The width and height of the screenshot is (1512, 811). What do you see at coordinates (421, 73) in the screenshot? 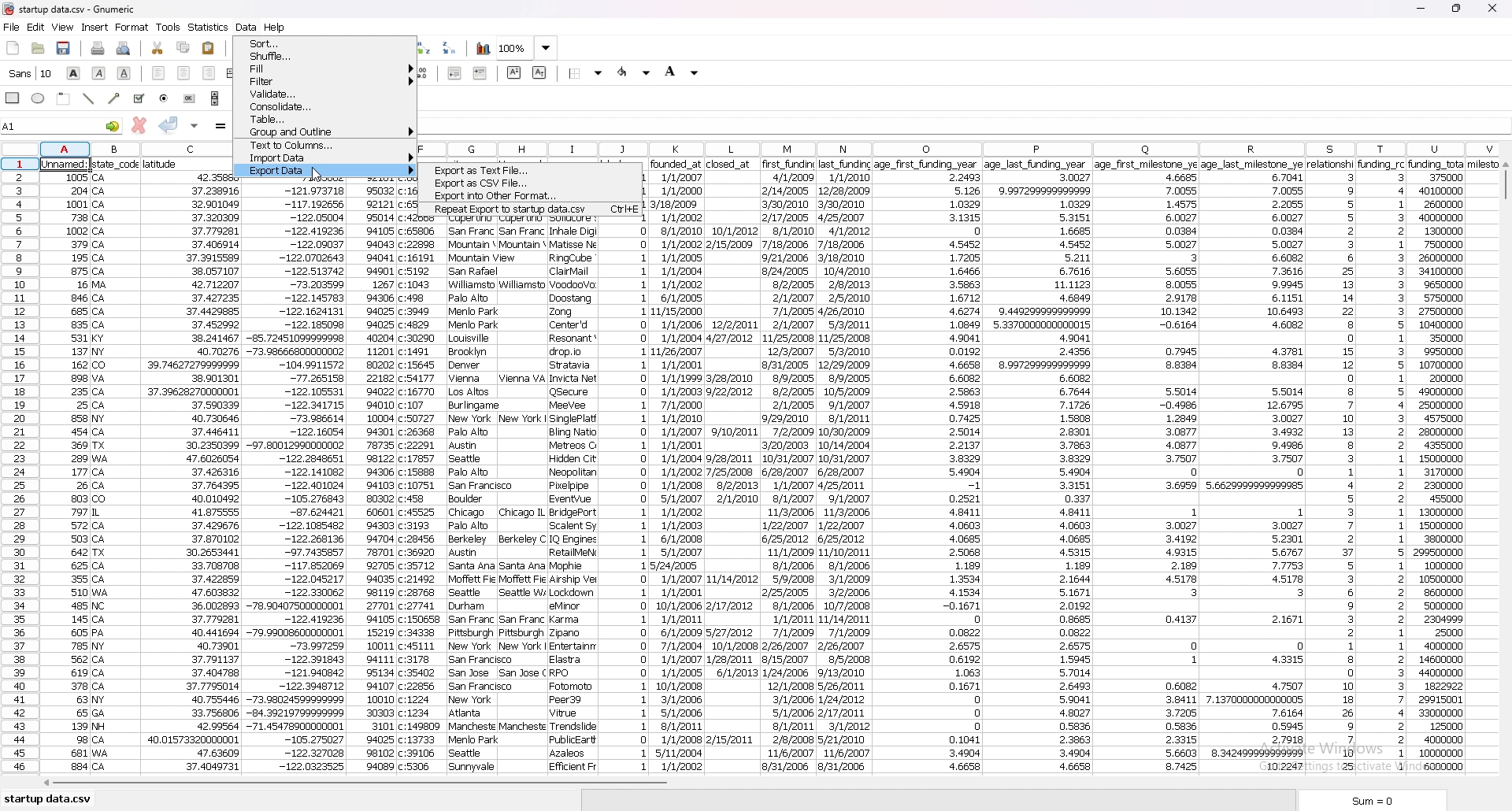
I see `decrease decimals` at bounding box center [421, 73].